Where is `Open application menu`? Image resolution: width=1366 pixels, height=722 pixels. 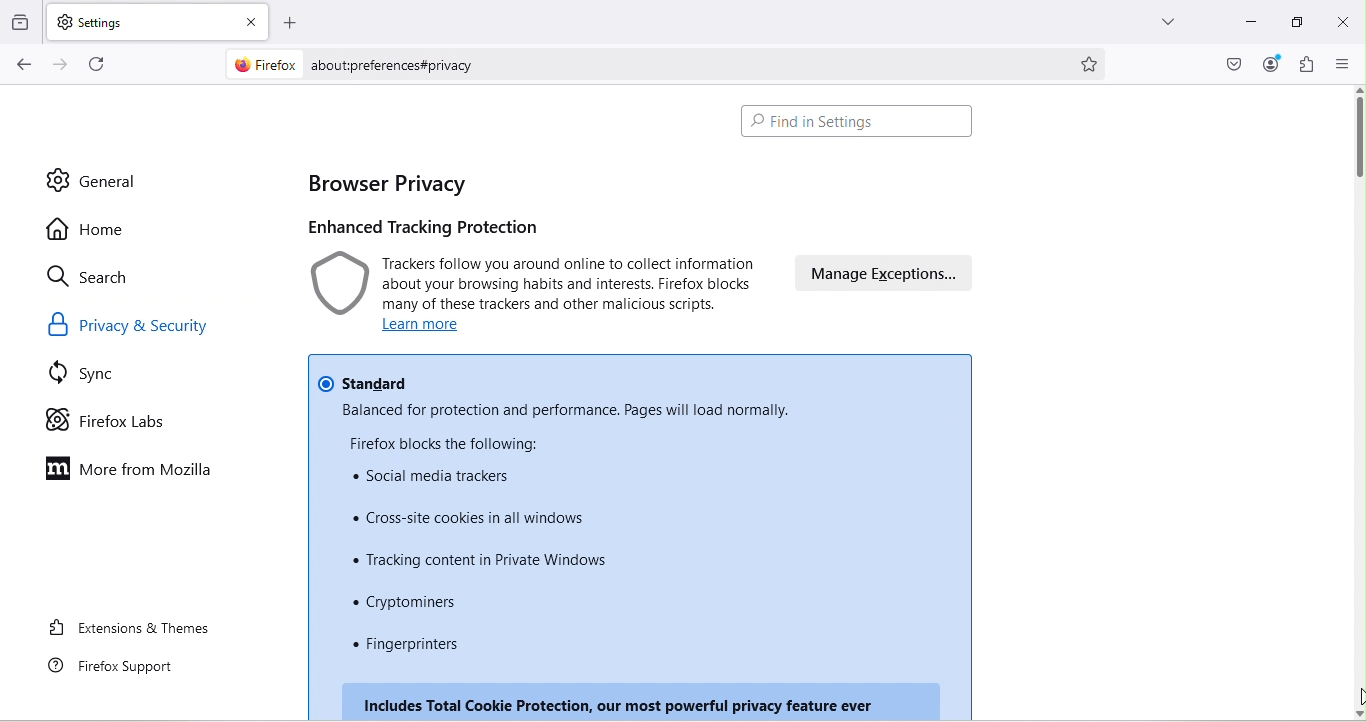
Open application menu is located at coordinates (1341, 64).